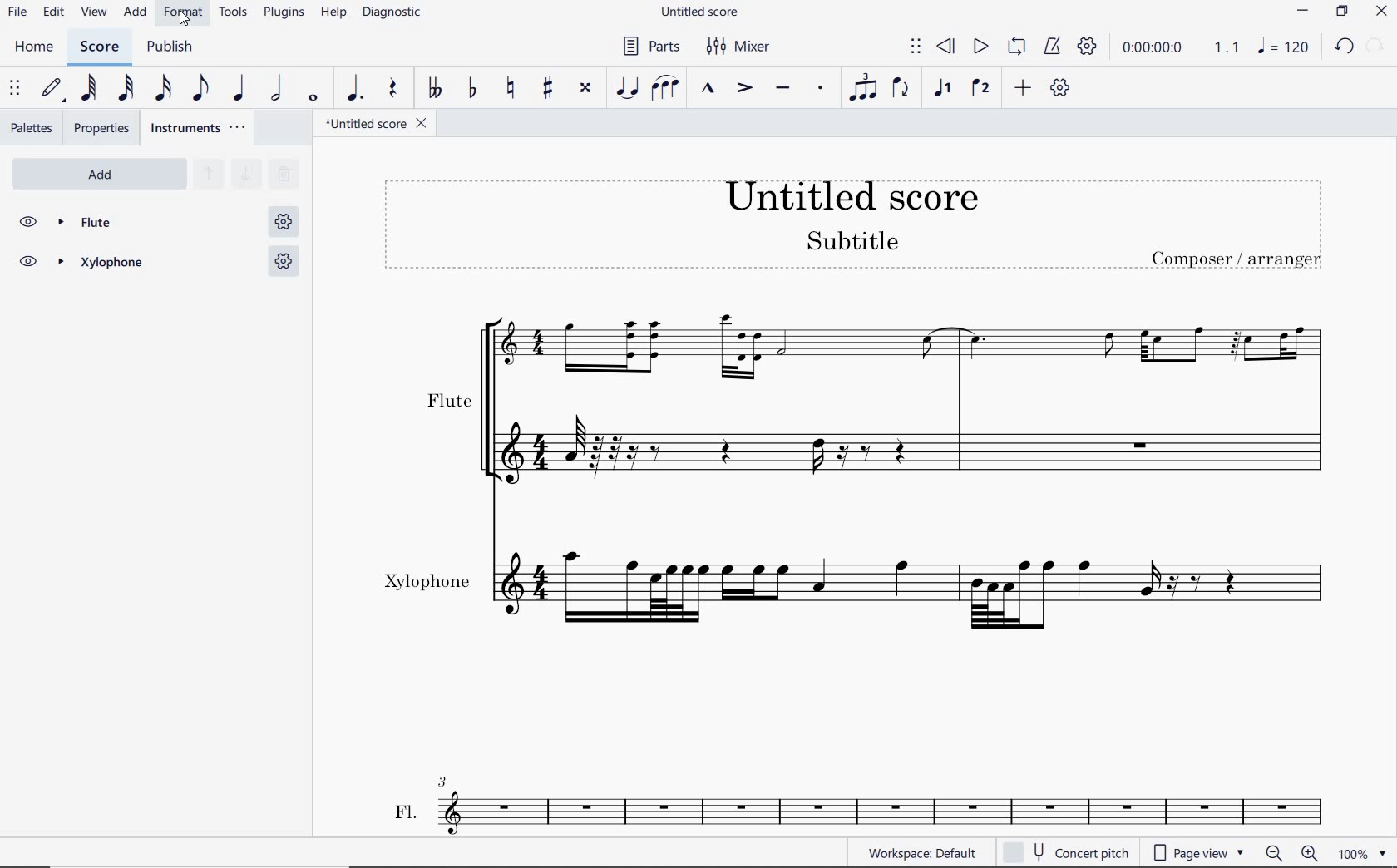 Image resolution: width=1397 pixels, height=868 pixels. What do you see at coordinates (666, 88) in the screenshot?
I see `SLUR` at bounding box center [666, 88].